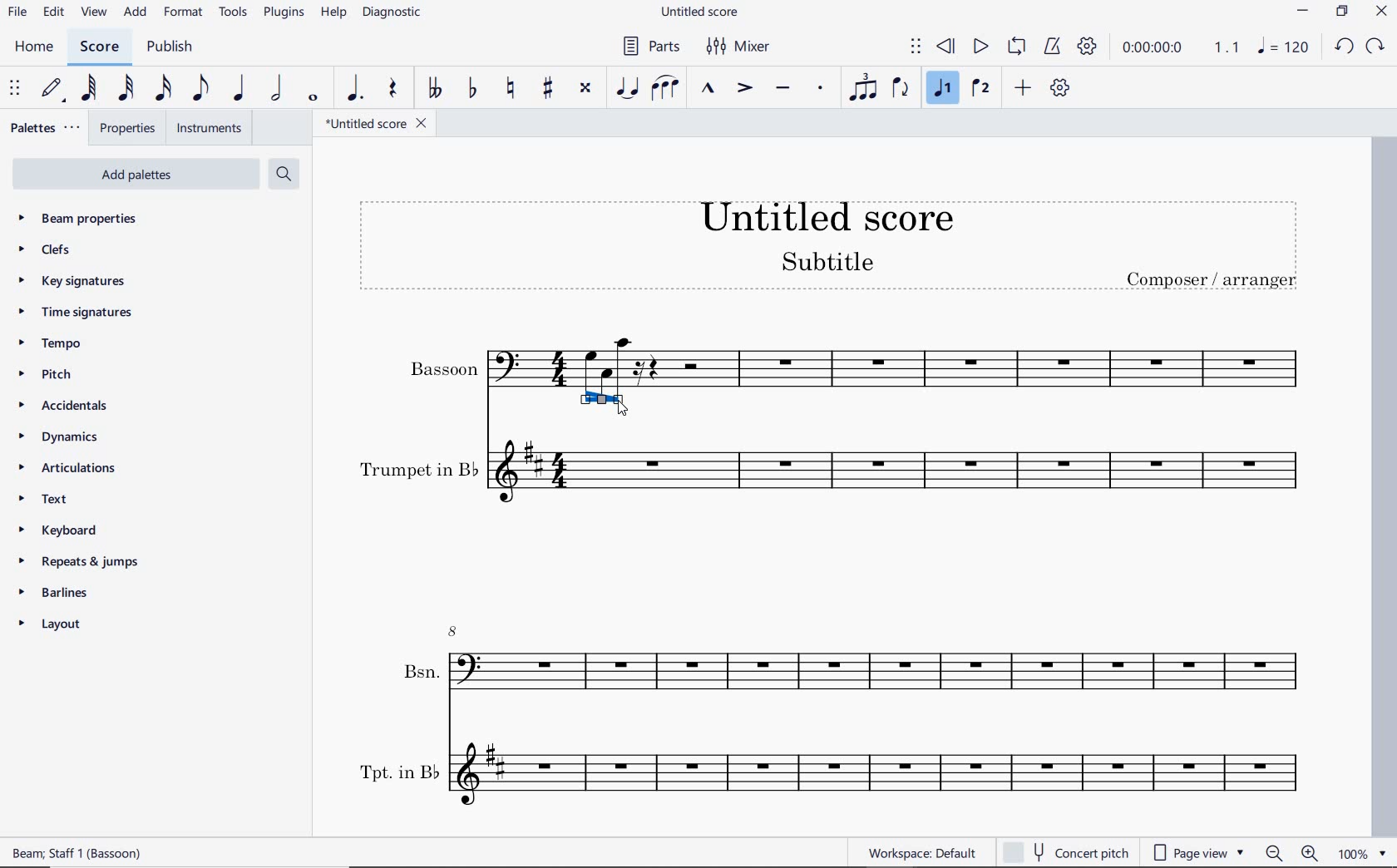 The image size is (1397, 868). What do you see at coordinates (233, 12) in the screenshot?
I see `tools` at bounding box center [233, 12].